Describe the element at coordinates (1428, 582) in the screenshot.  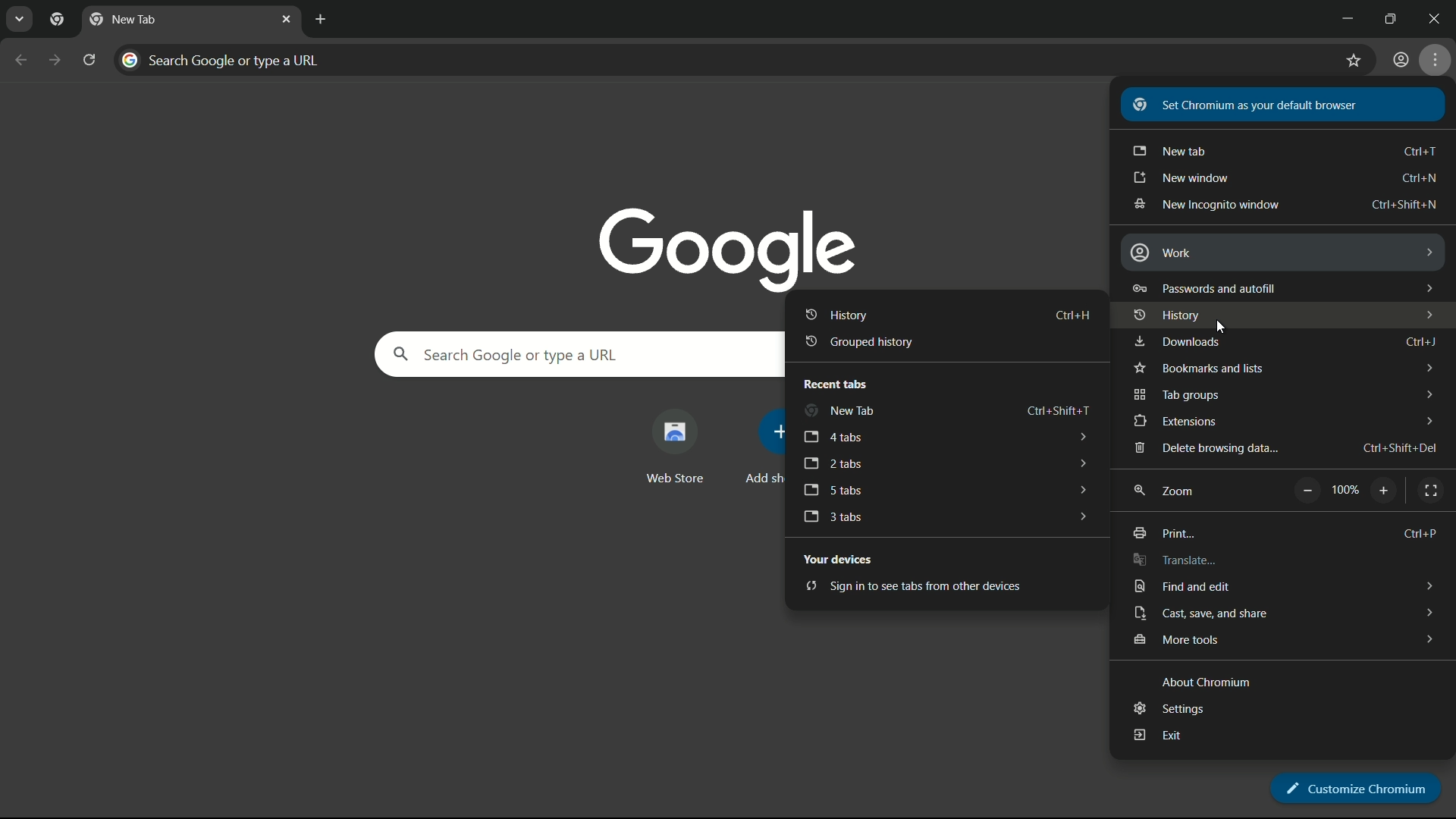
I see `dropdown arrows` at that location.